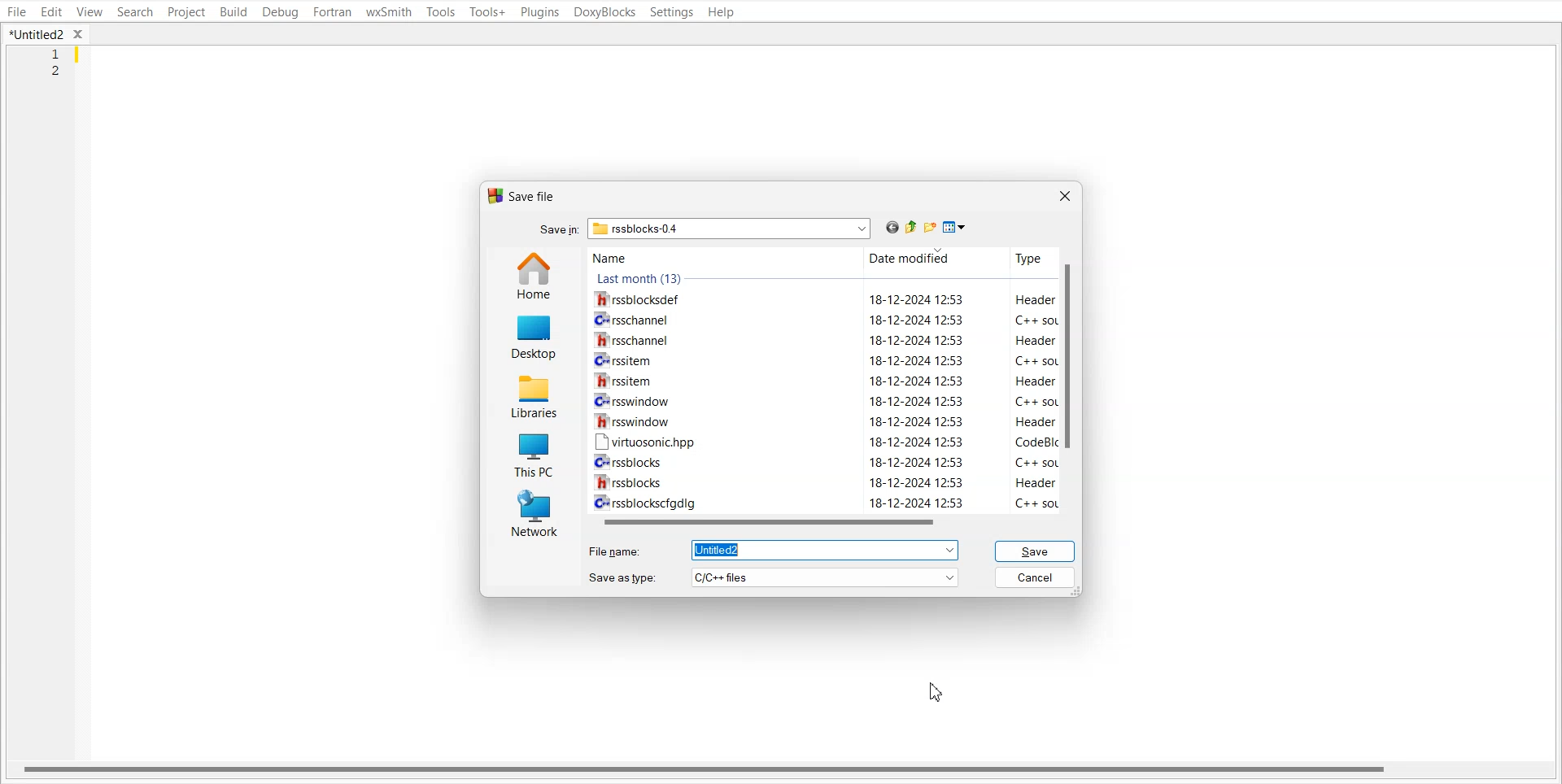  Describe the element at coordinates (923, 257) in the screenshot. I see `Date modified` at that location.